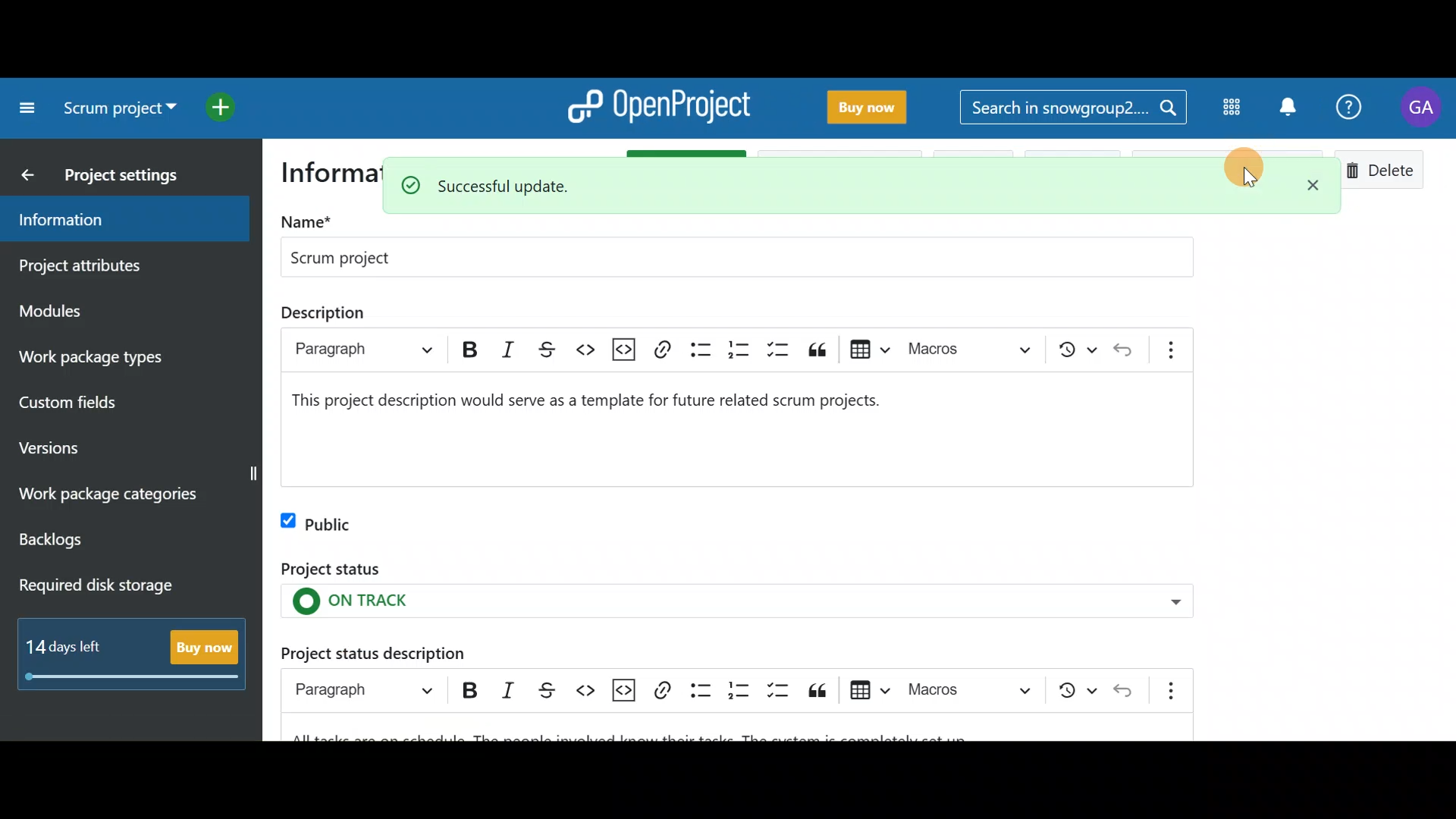 This screenshot has height=819, width=1456. I want to click on Bold, so click(469, 690).